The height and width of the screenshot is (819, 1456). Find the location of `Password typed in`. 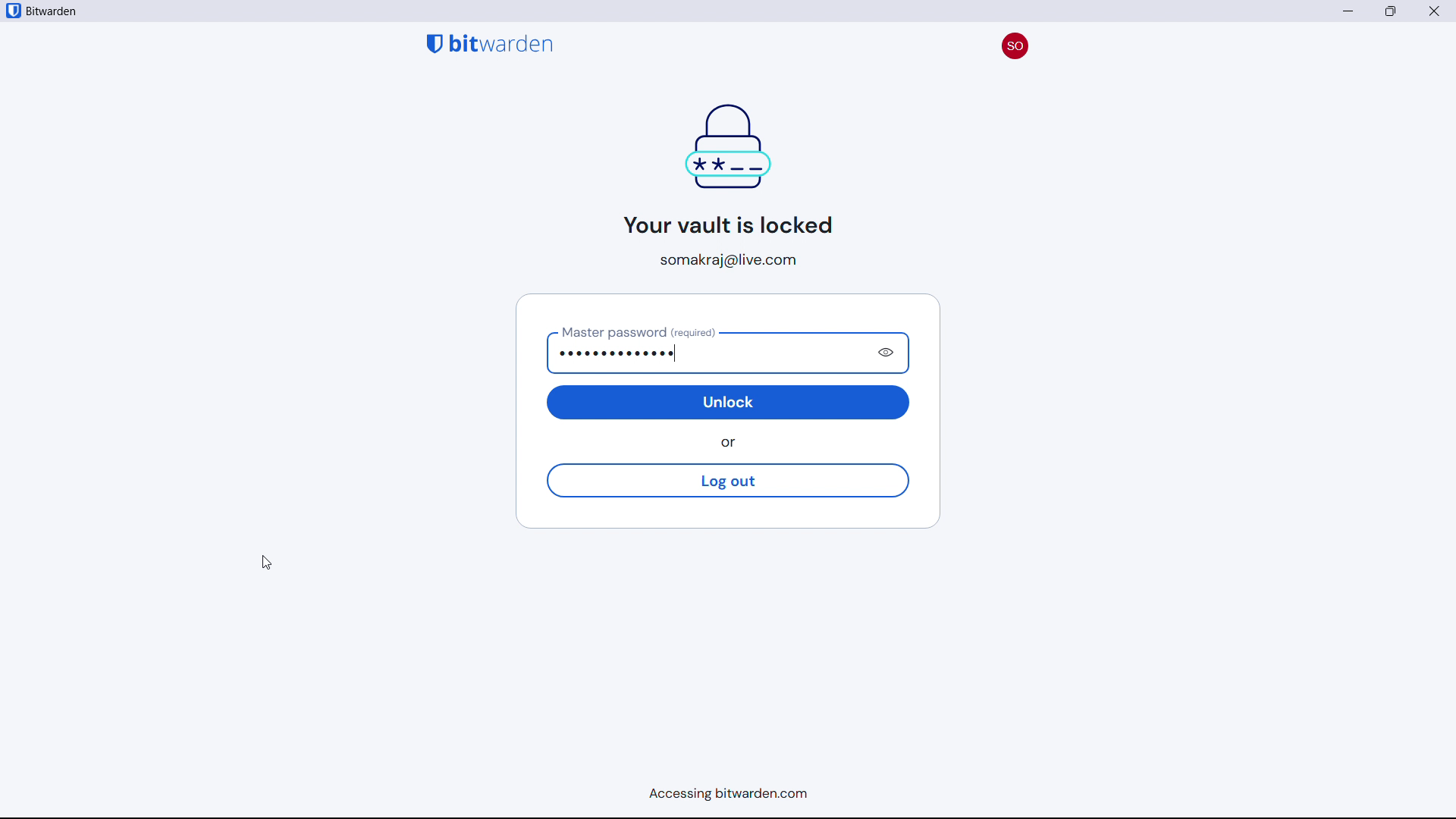

Password typed in is located at coordinates (703, 353).